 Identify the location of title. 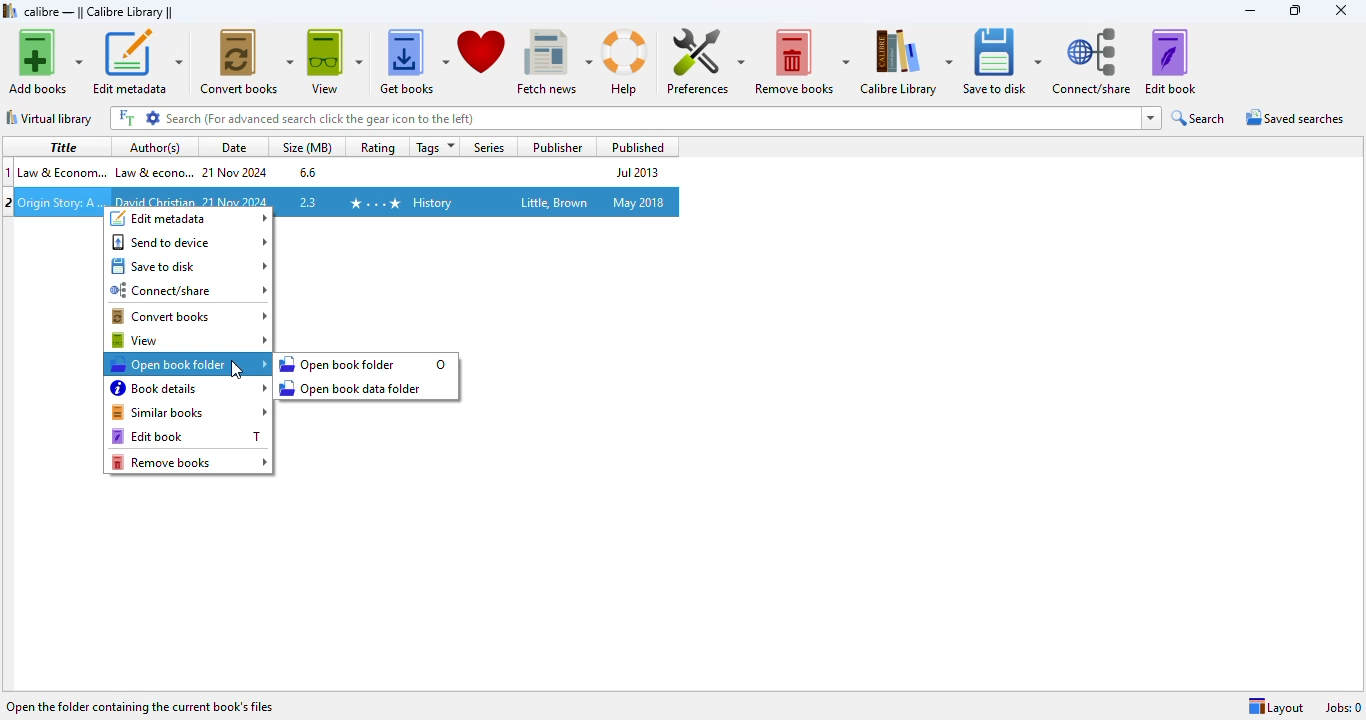
(60, 146).